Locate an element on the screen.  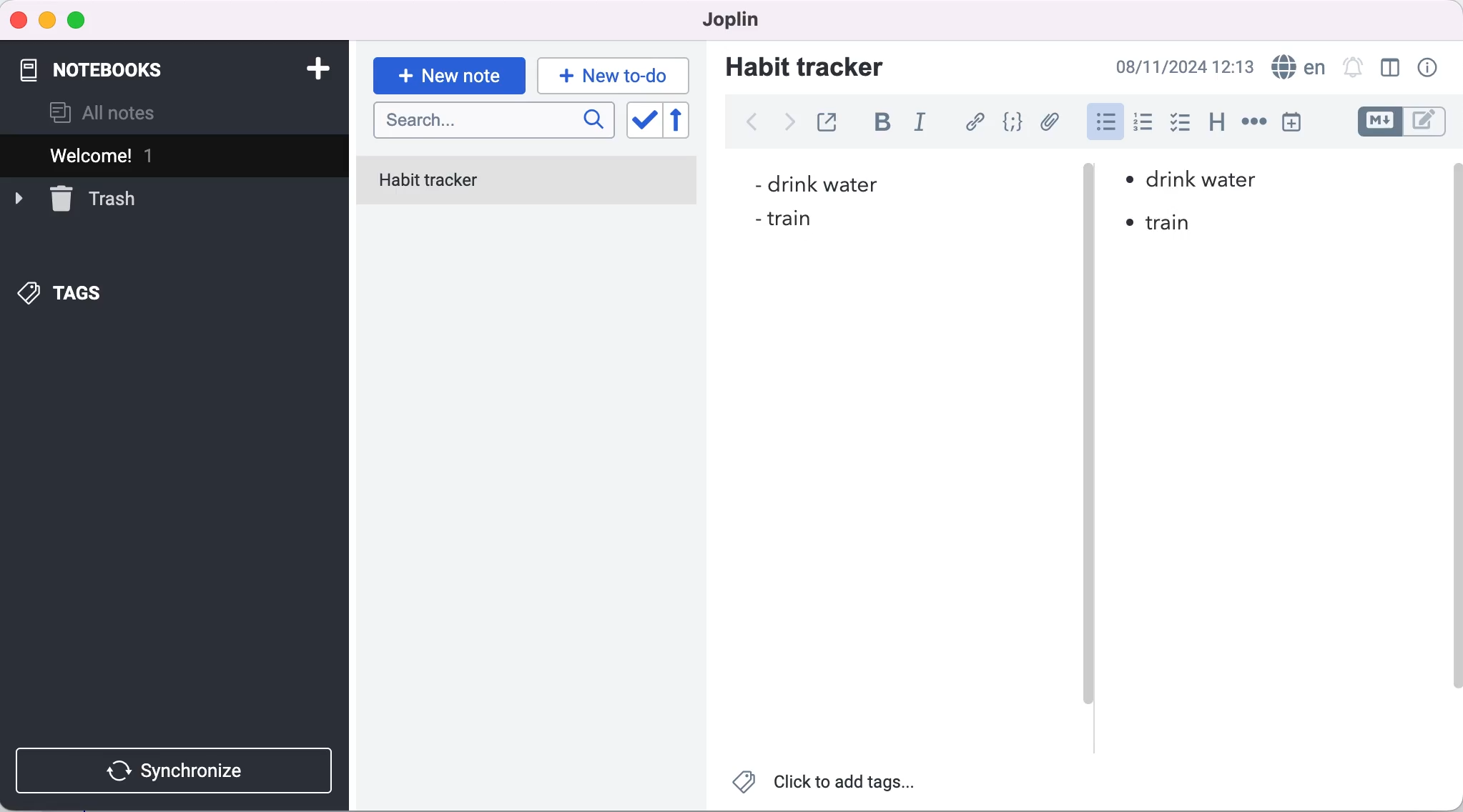
joplin is located at coordinates (725, 19).